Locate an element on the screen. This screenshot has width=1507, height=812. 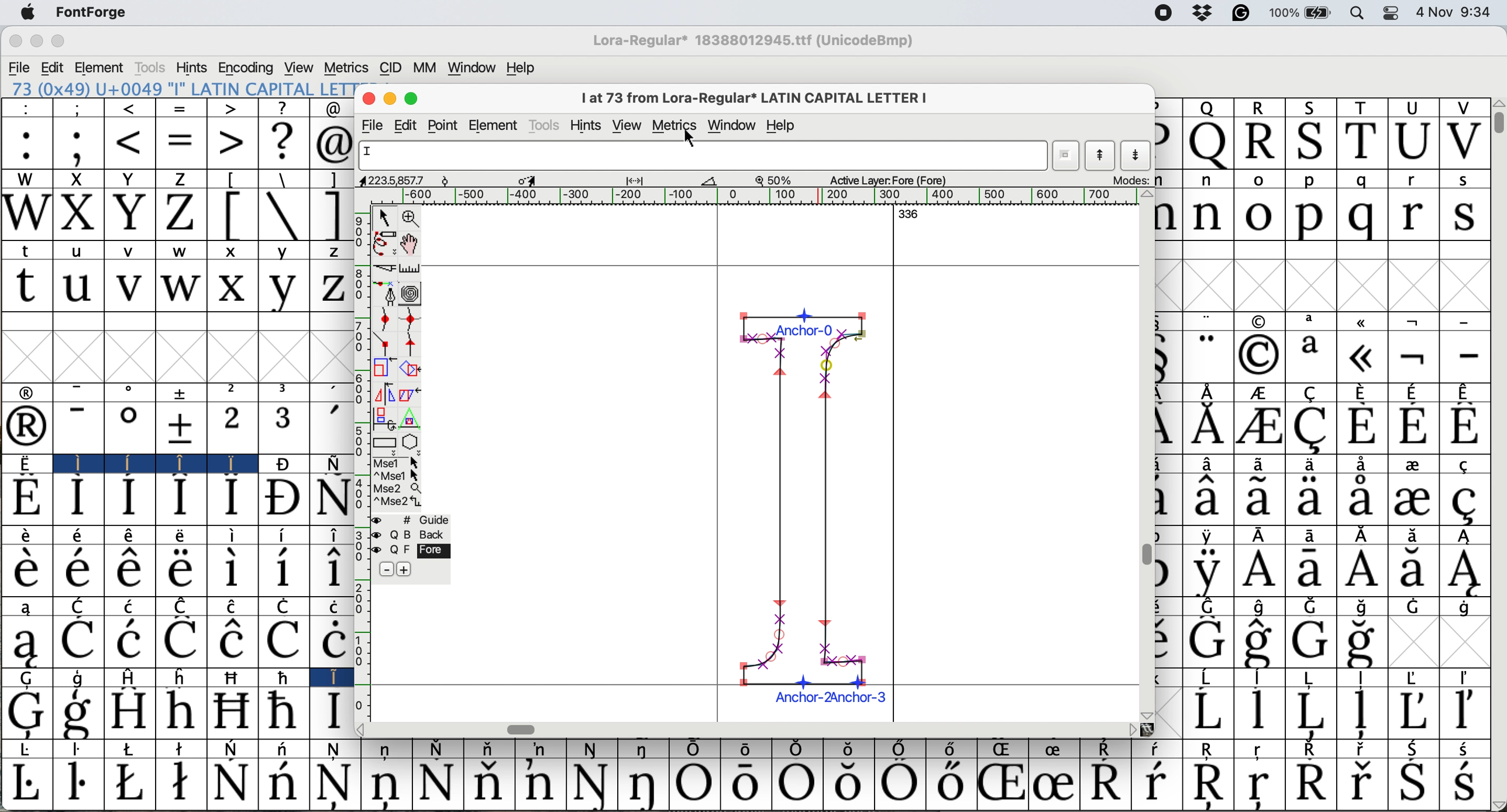
 is located at coordinates (907, 215).